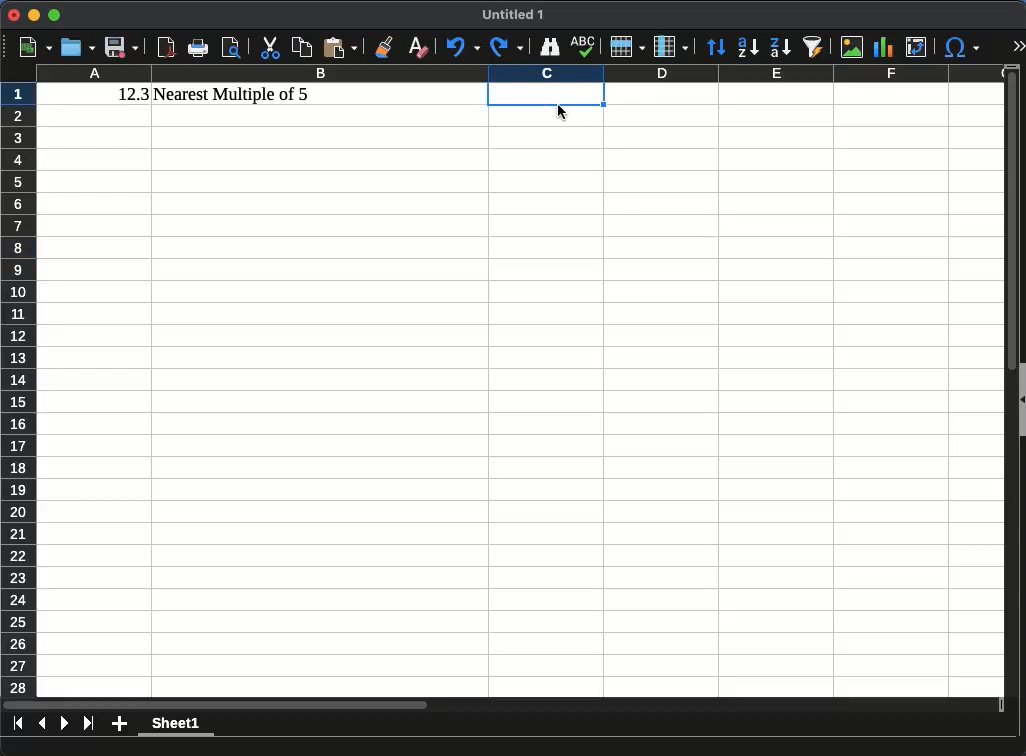  Describe the element at coordinates (121, 47) in the screenshot. I see `save` at that location.